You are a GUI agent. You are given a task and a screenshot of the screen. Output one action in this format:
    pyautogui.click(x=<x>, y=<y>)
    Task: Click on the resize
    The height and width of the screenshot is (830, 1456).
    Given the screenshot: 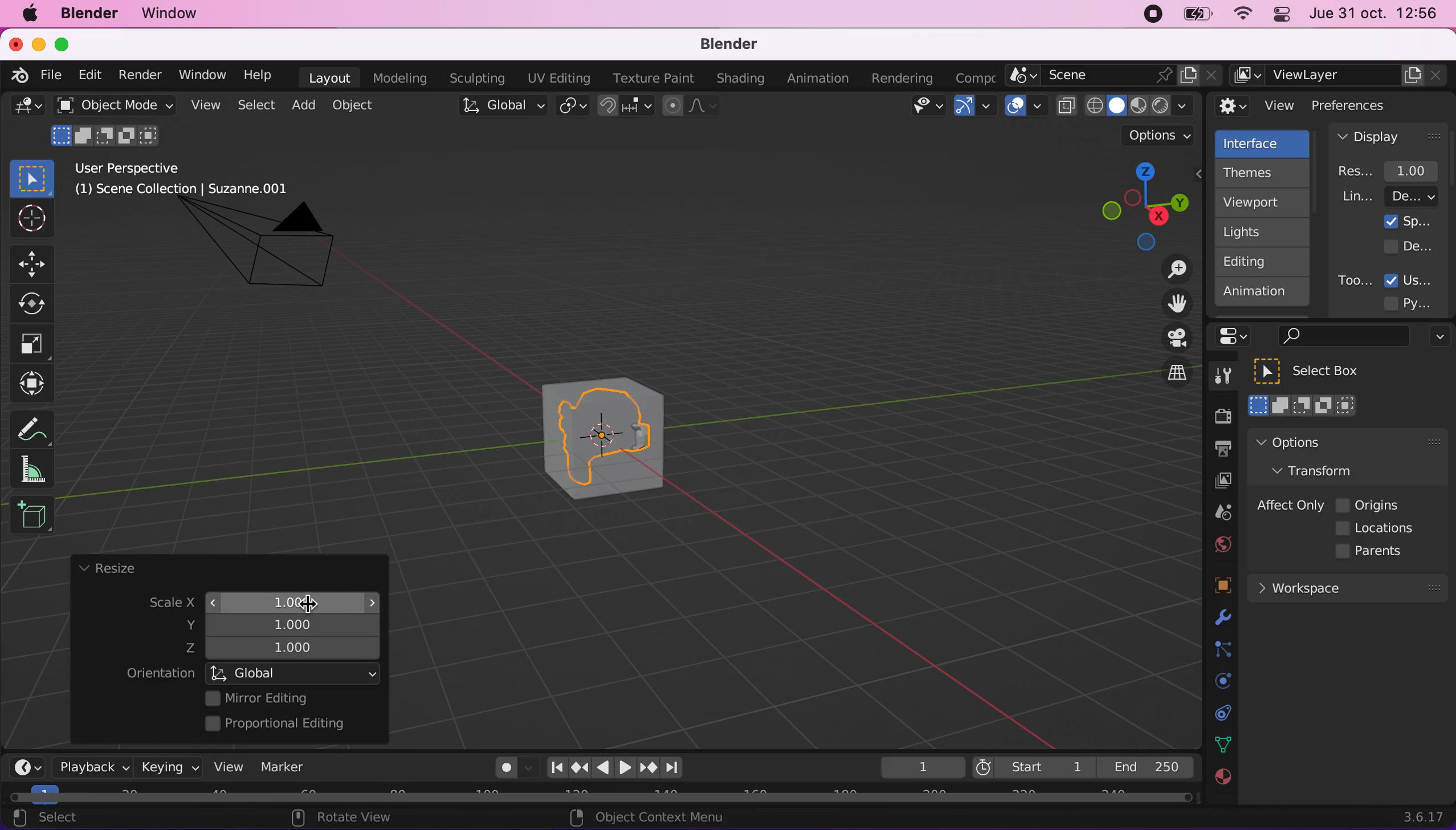 What is the action you would take?
    pyautogui.click(x=107, y=569)
    